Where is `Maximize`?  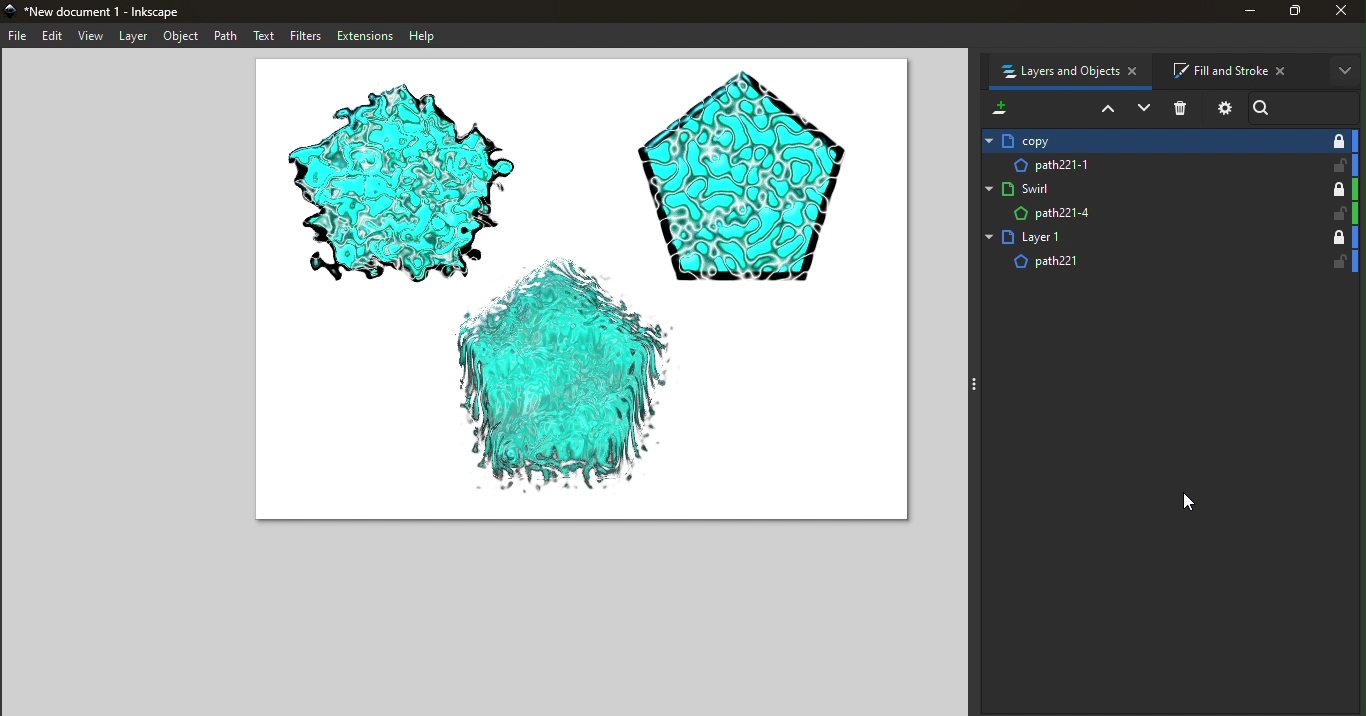
Maximize is located at coordinates (1292, 14).